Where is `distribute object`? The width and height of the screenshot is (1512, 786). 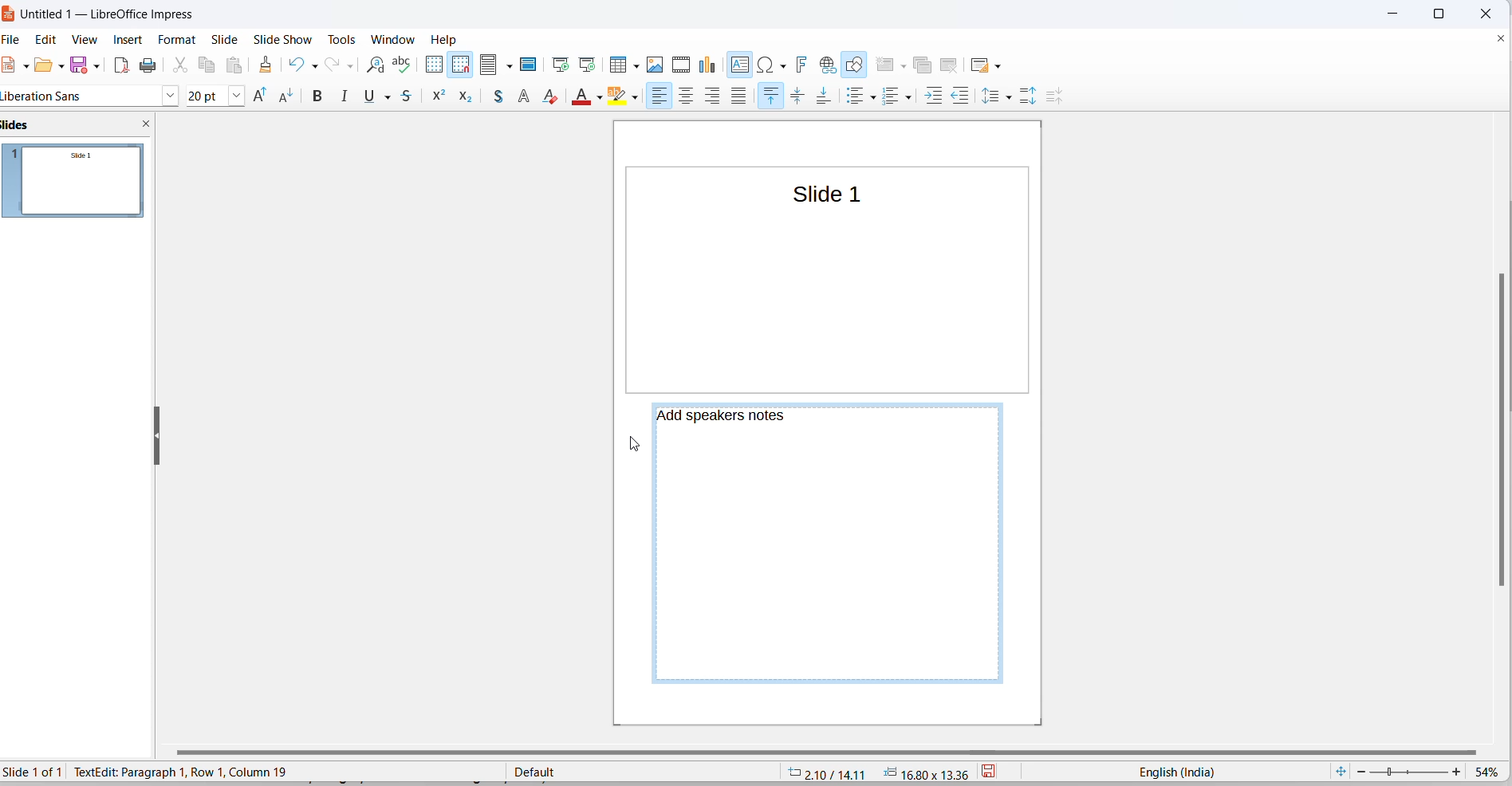 distribute object is located at coordinates (688, 98).